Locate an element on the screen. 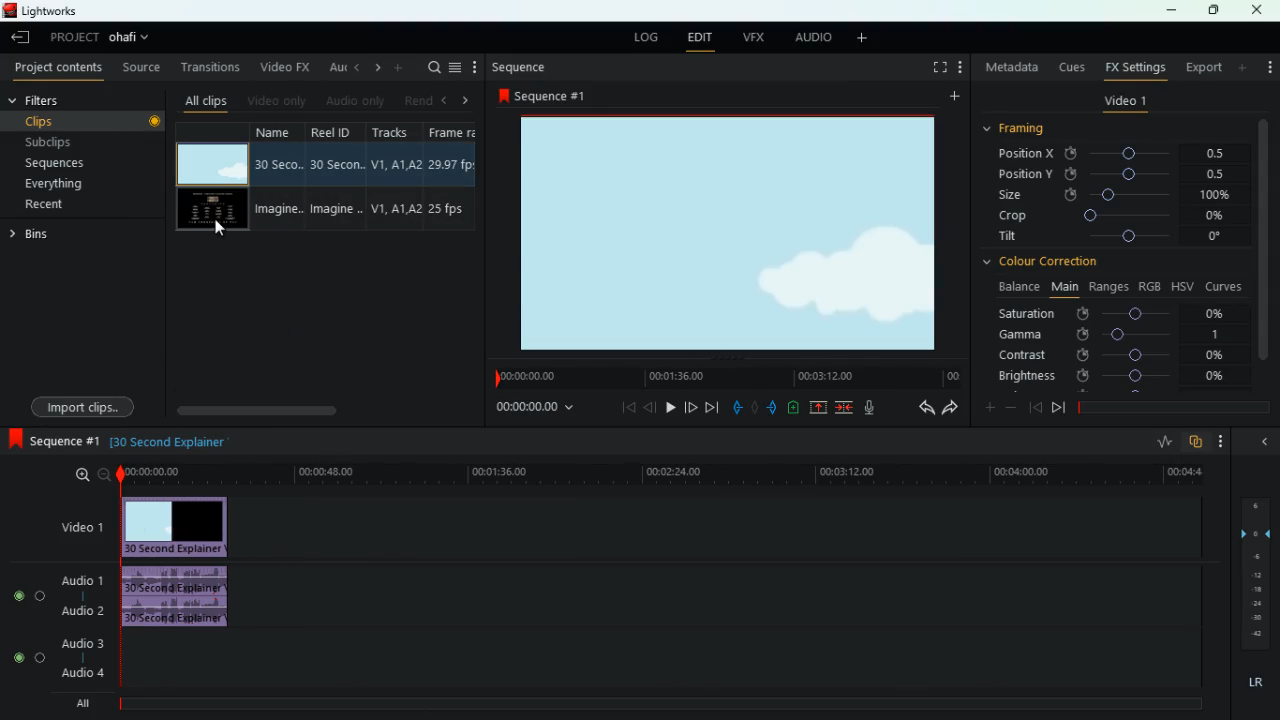 Image resolution: width=1280 pixels, height=720 pixels. audio is located at coordinates (813, 38).